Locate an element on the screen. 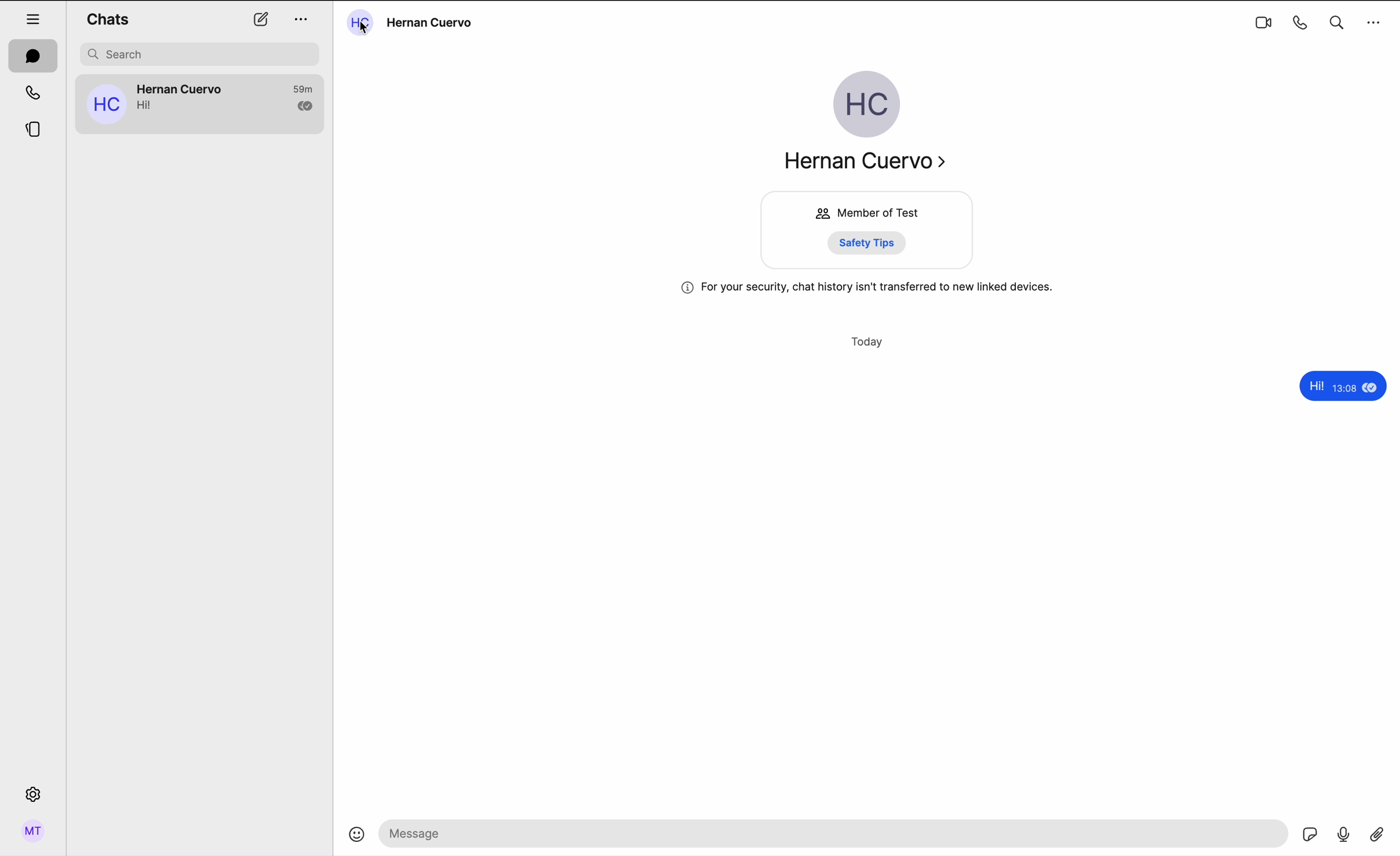  settings is located at coordinates (34, 793).